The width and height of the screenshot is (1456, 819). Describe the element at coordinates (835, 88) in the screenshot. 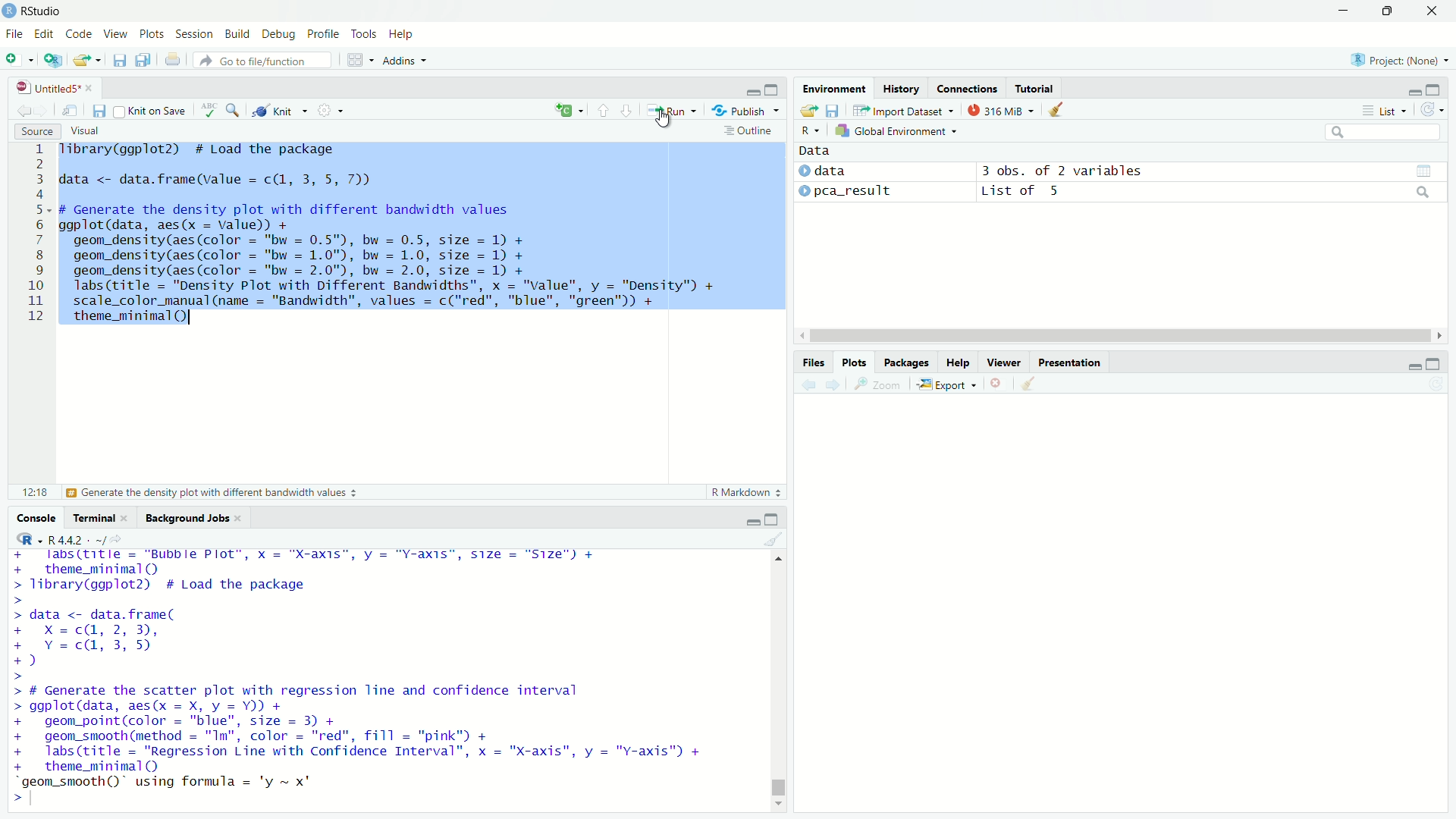

I see `Environment` at that location.